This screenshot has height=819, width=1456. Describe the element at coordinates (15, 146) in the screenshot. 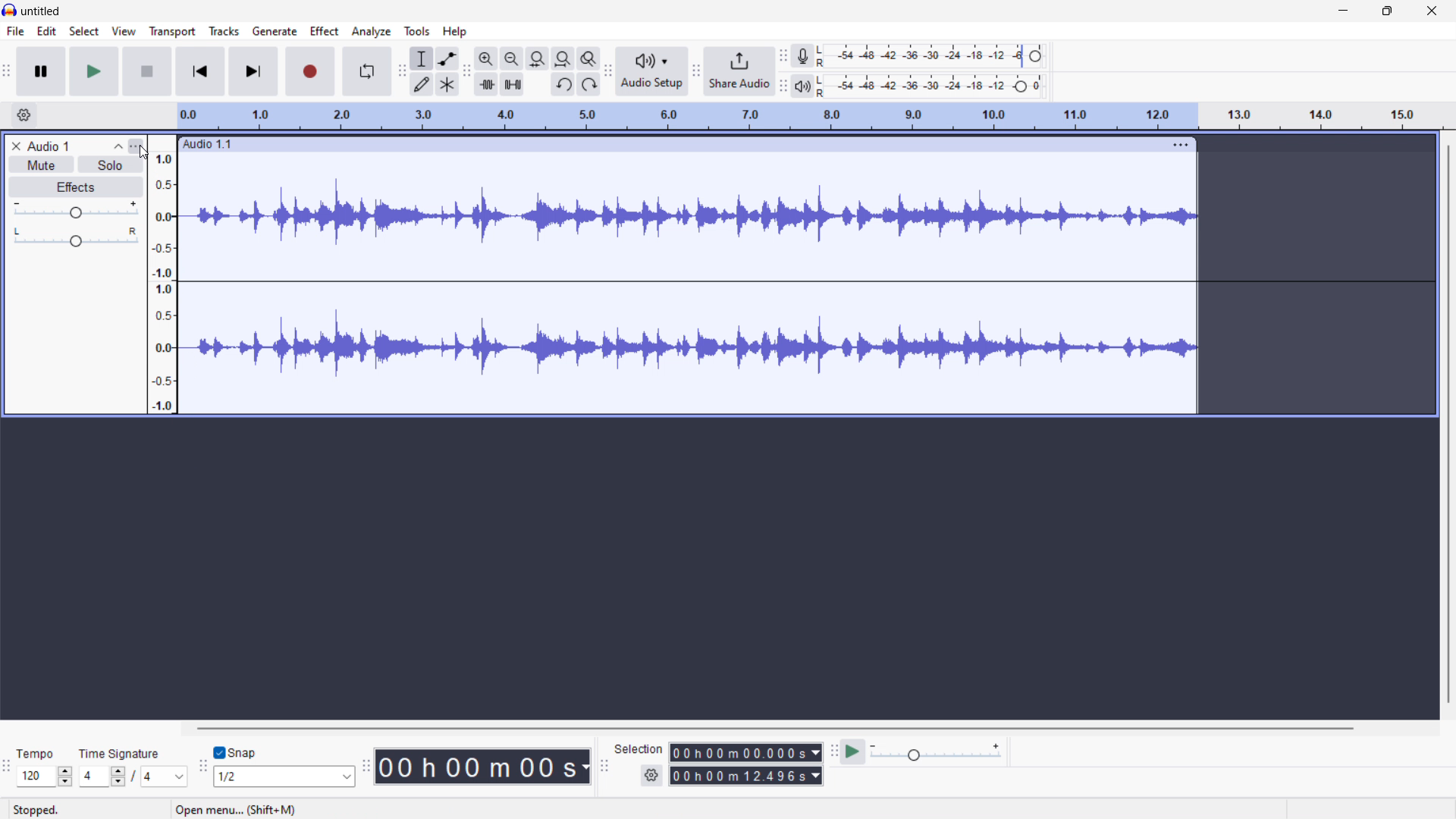

I see `remove track` at that location.